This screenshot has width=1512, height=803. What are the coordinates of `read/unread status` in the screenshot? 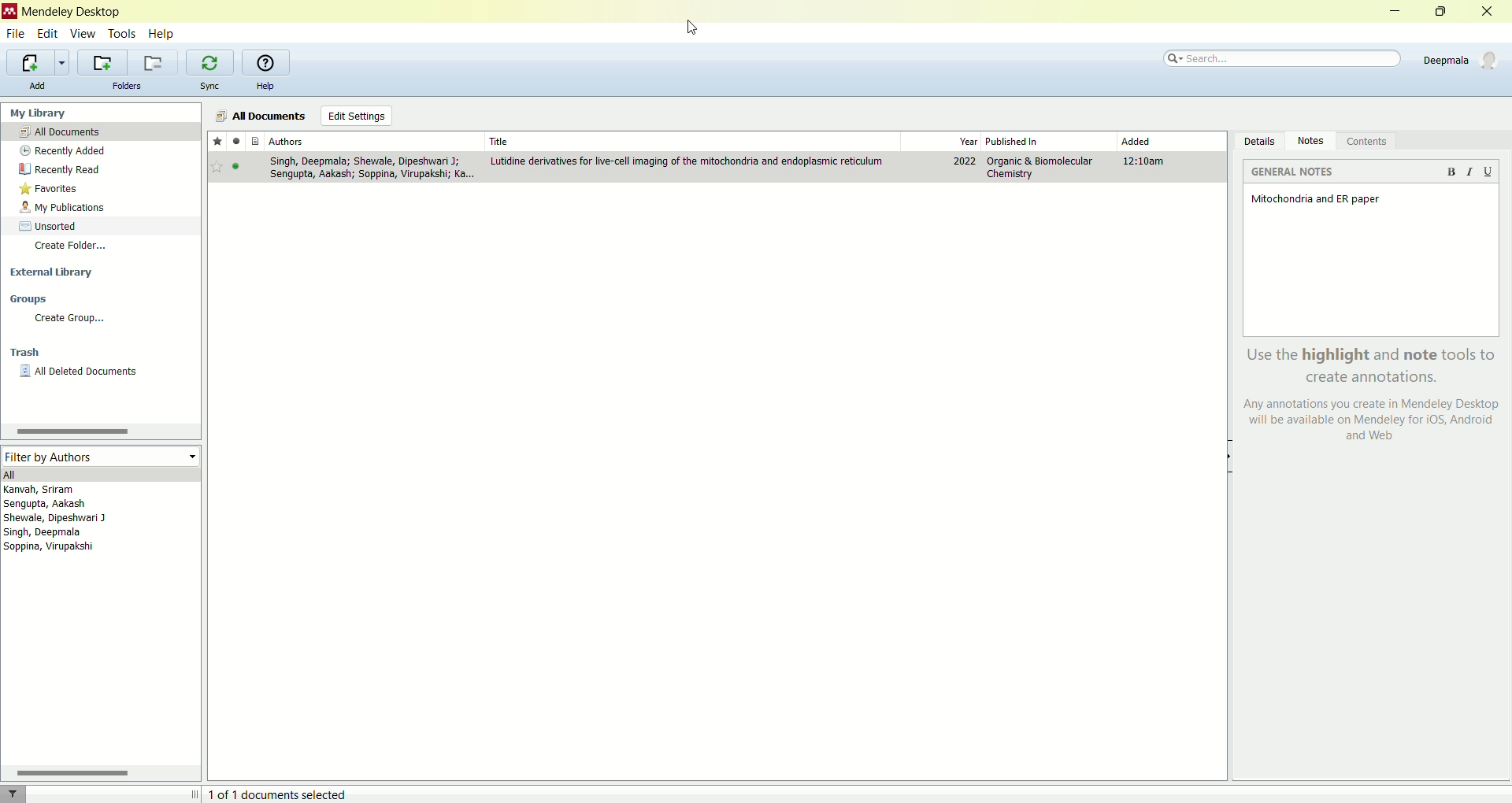 It's located at (236, 142).